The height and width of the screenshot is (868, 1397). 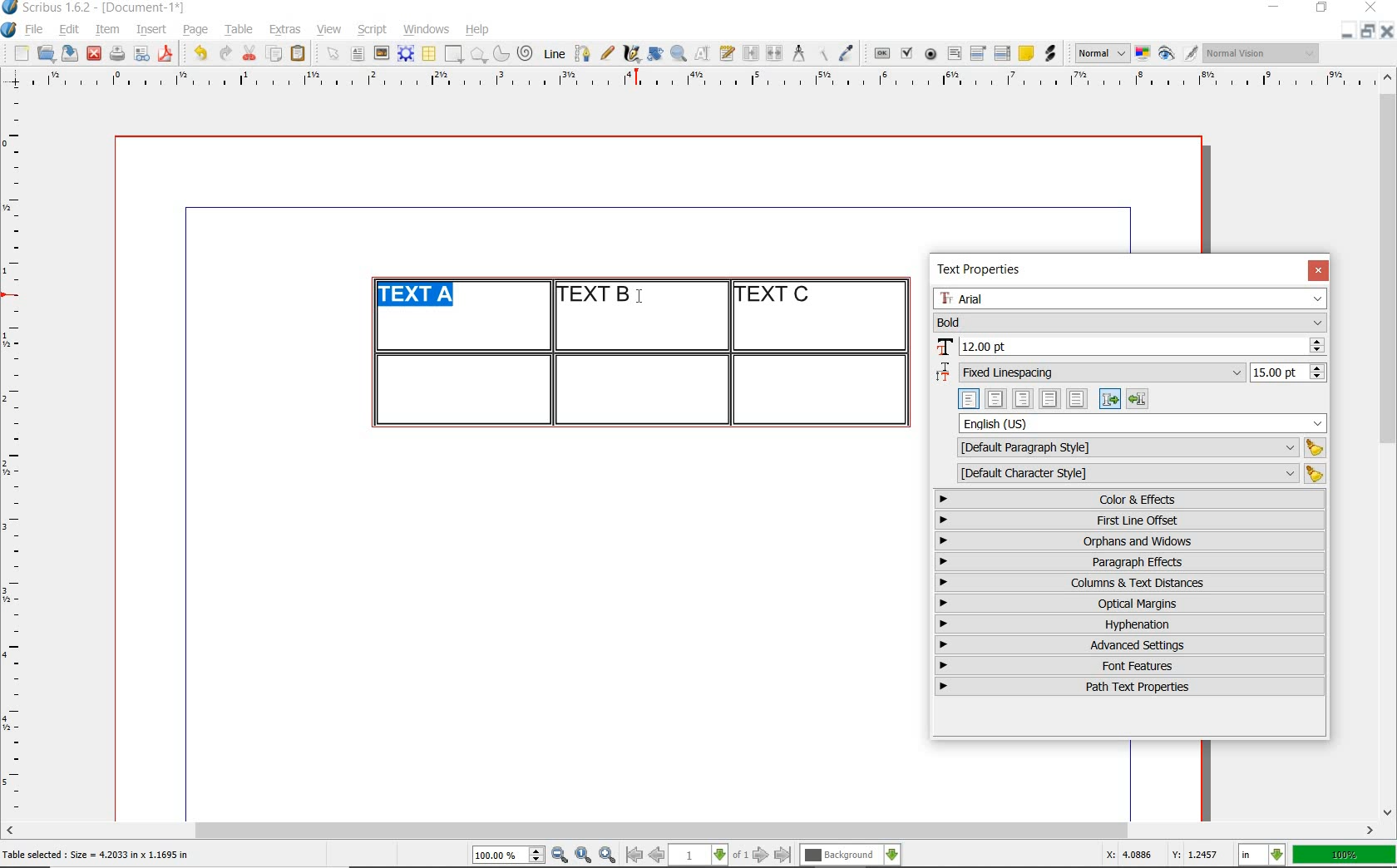 I want to click on paragraph effects, so click(x=1128, y=561).